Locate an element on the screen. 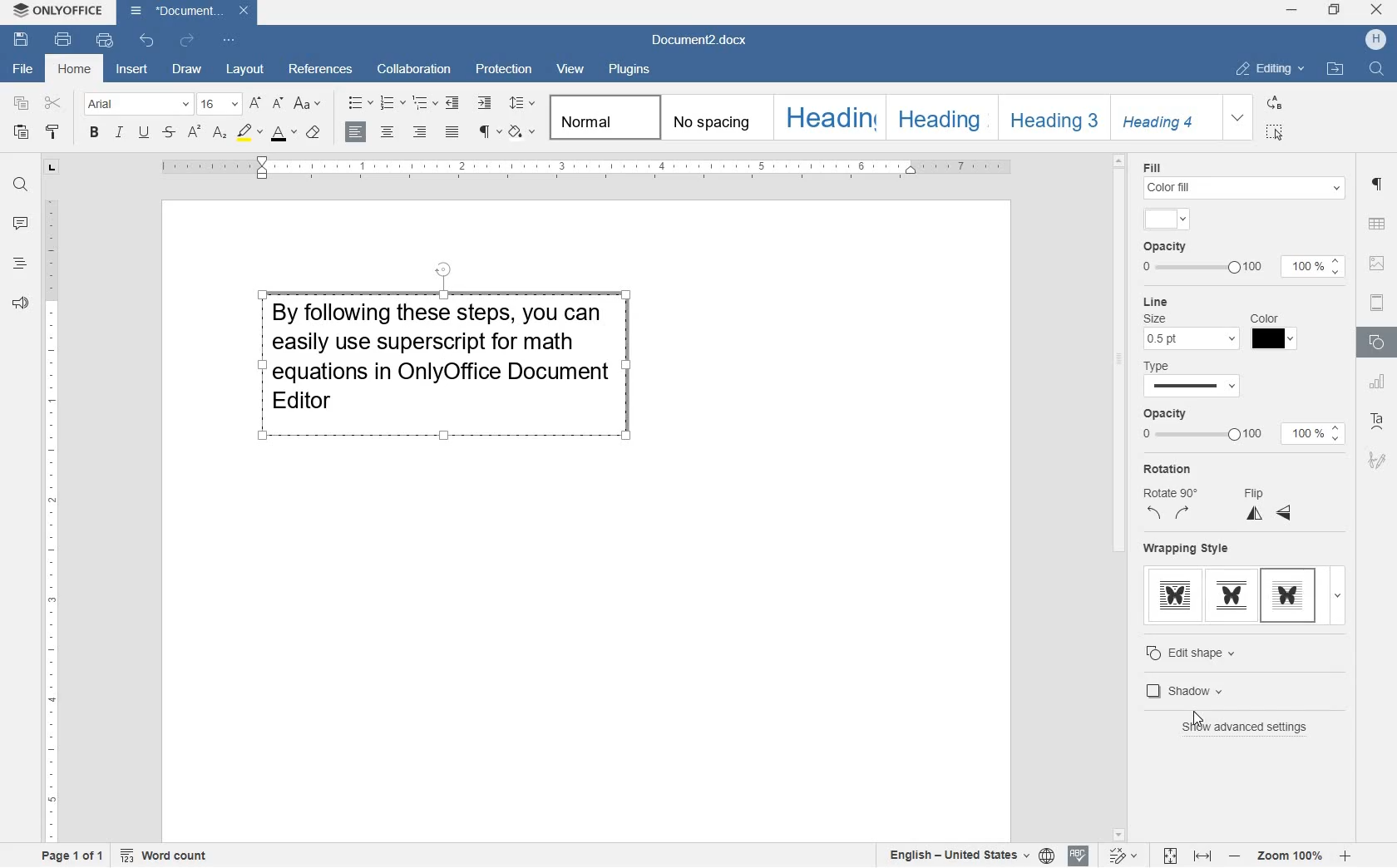 The width and height of the screenshot is (1397, 868). font name is located at coordinates (135, 103).